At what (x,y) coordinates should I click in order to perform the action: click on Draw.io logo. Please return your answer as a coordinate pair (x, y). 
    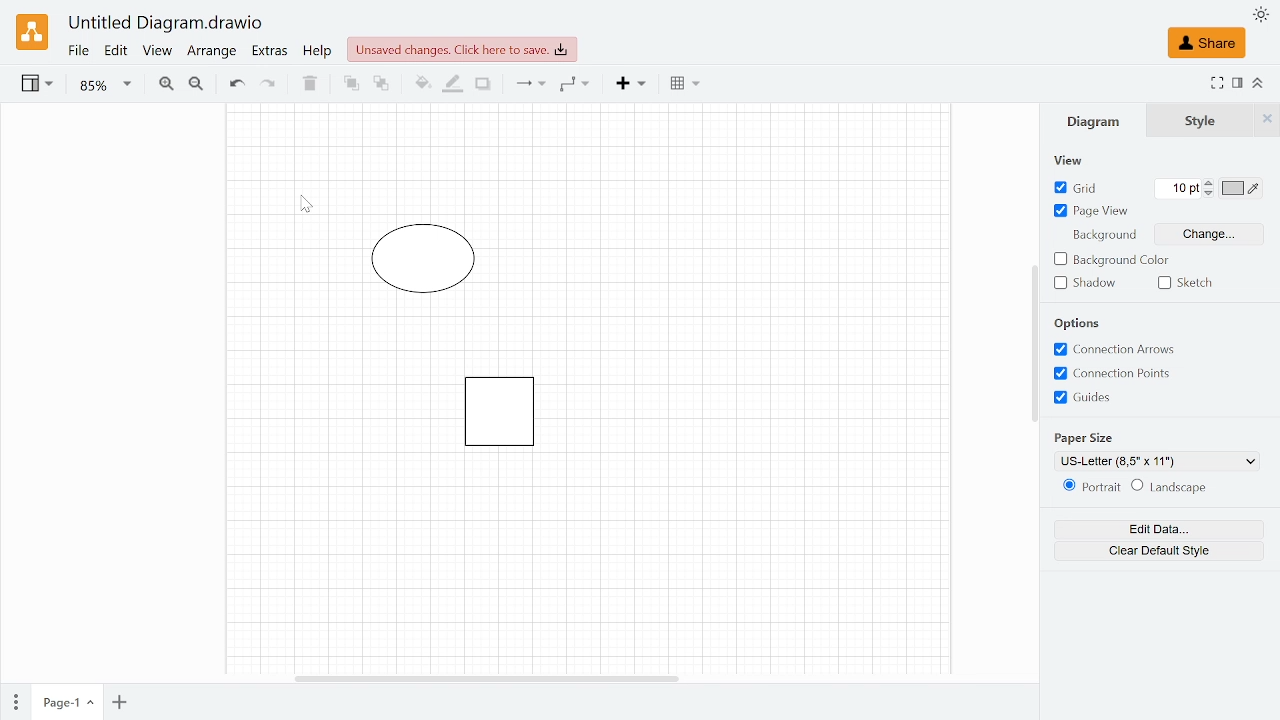
    Looking at the image, I should click on (32, 32).